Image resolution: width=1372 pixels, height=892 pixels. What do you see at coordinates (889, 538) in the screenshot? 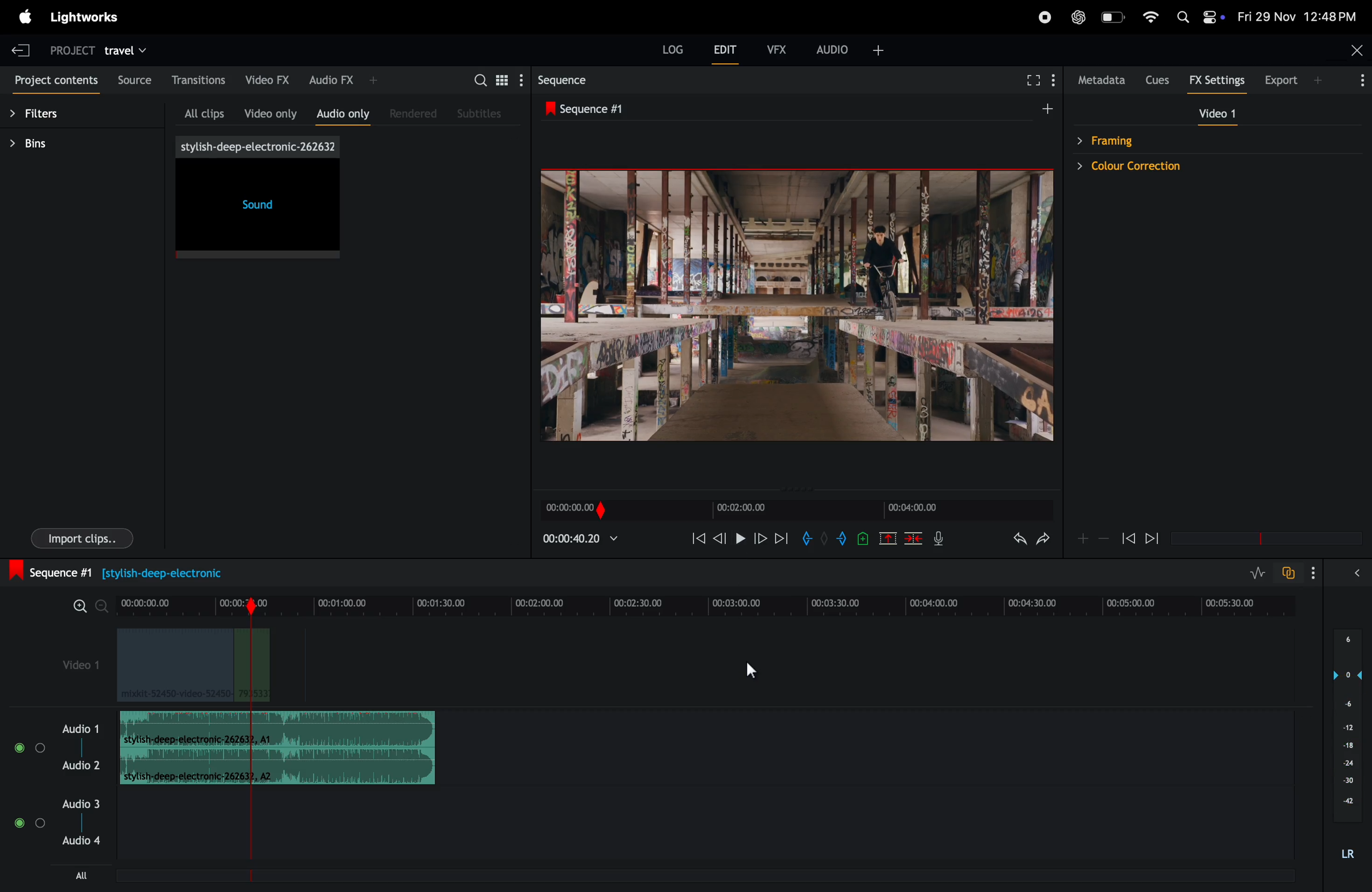
I see `add` at bounding box center [889, 538].